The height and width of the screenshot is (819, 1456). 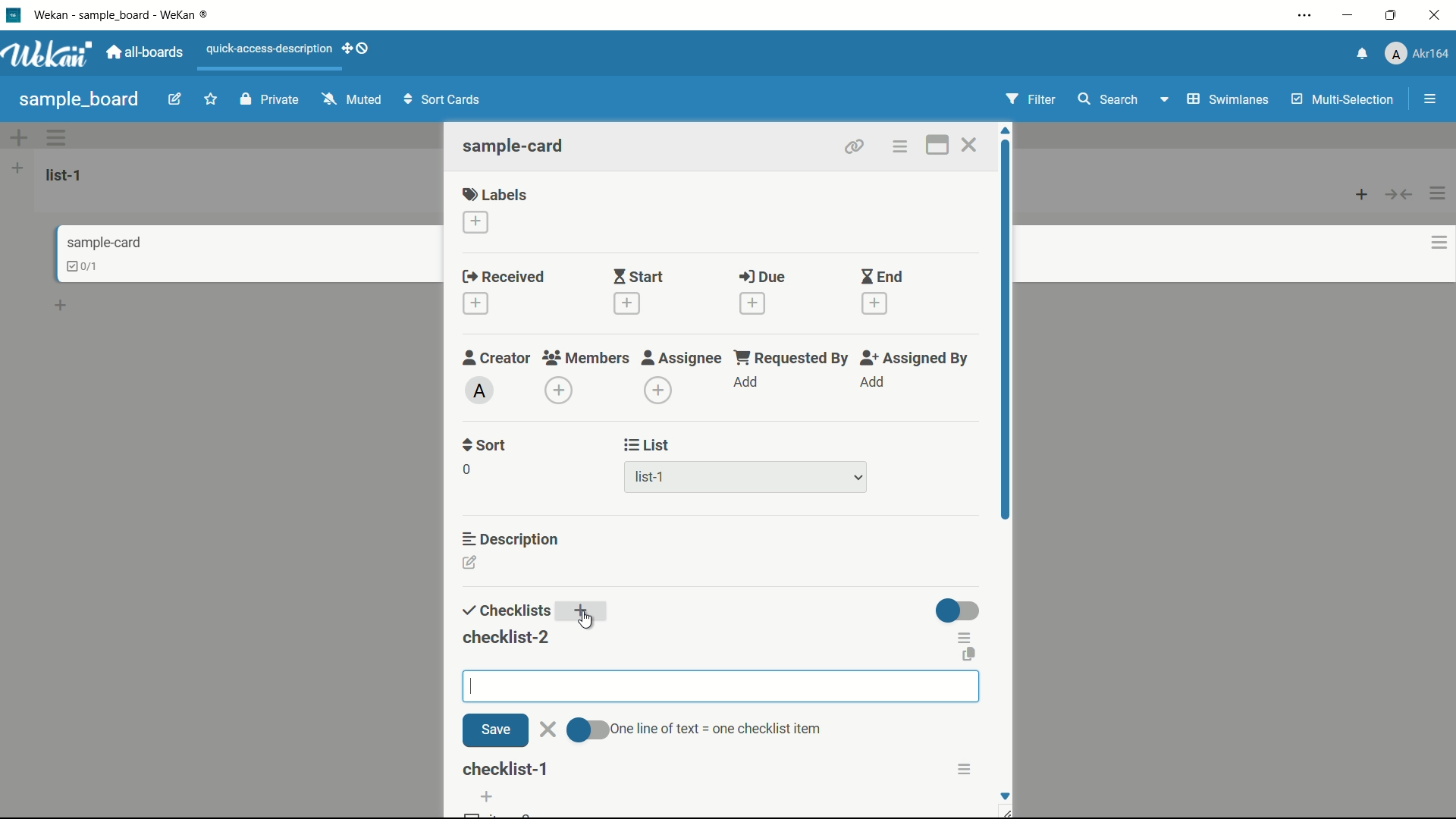 I want to click on assigned by, so click(x=916, y=358).